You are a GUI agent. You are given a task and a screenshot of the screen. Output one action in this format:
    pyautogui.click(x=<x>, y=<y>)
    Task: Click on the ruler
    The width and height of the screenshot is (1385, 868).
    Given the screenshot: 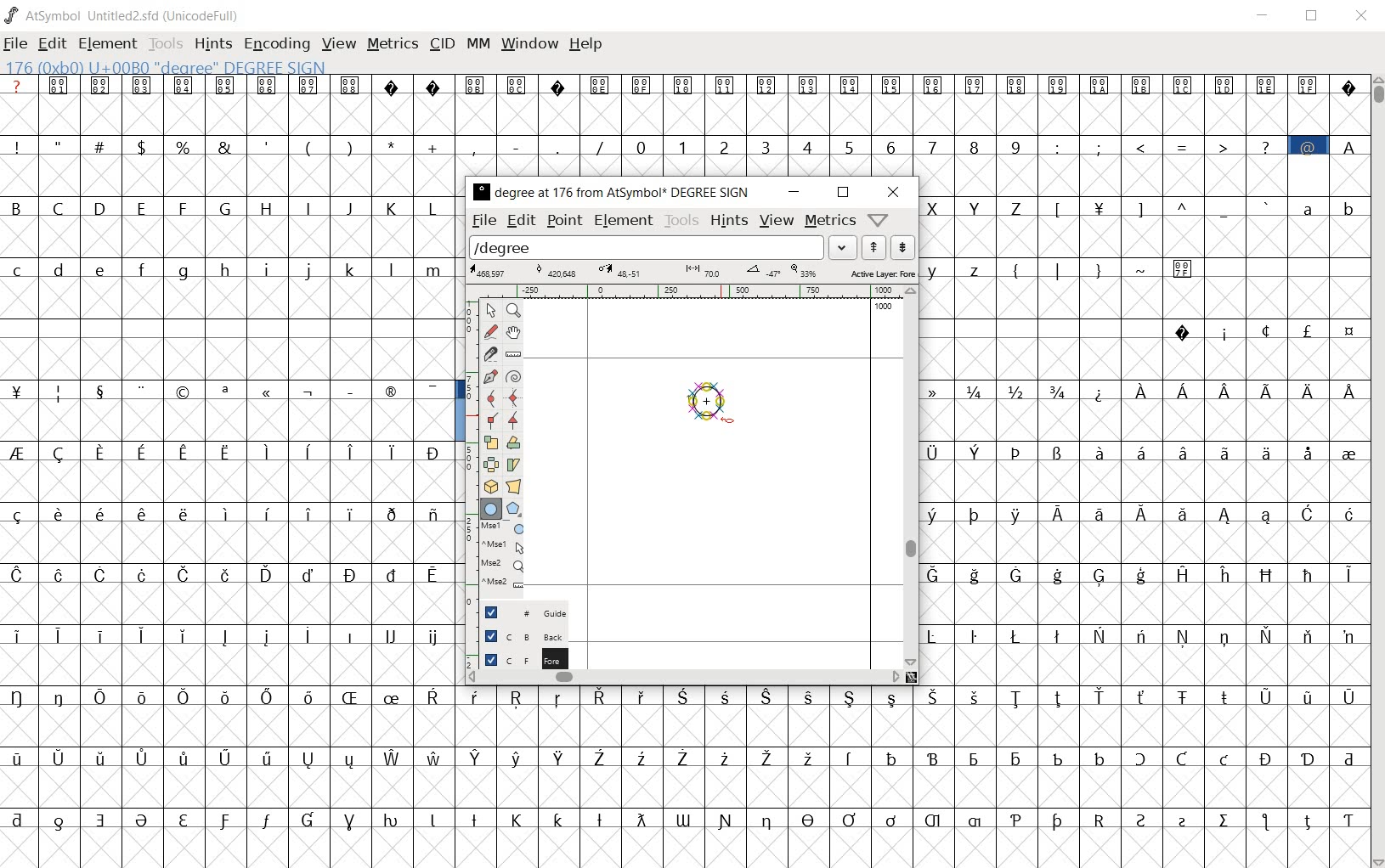 What is the action you would take?
    pyautogui.click(x=682, y=292)
    